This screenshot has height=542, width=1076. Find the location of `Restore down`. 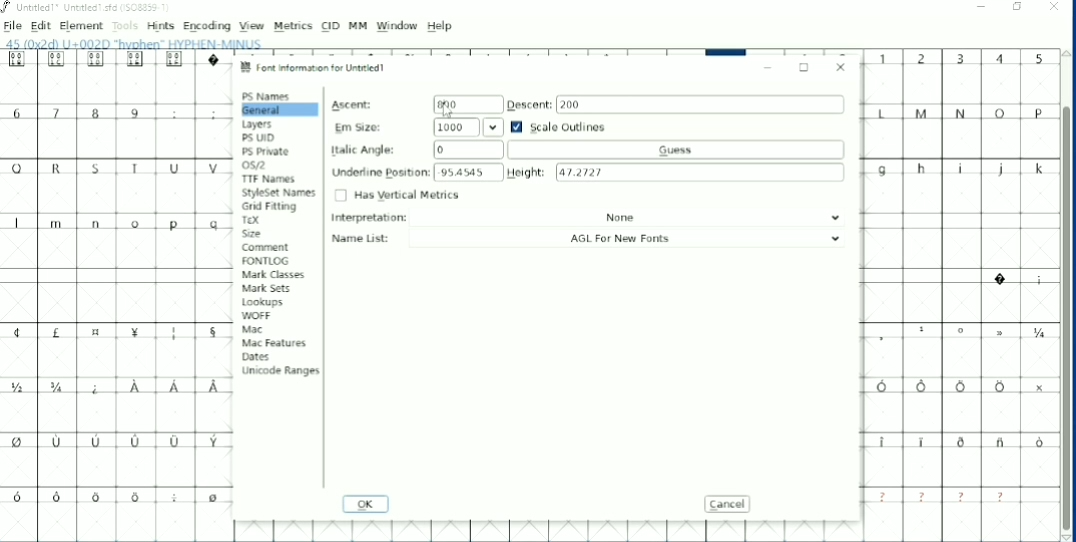

Restore down is located at coordinates (1019, 7).